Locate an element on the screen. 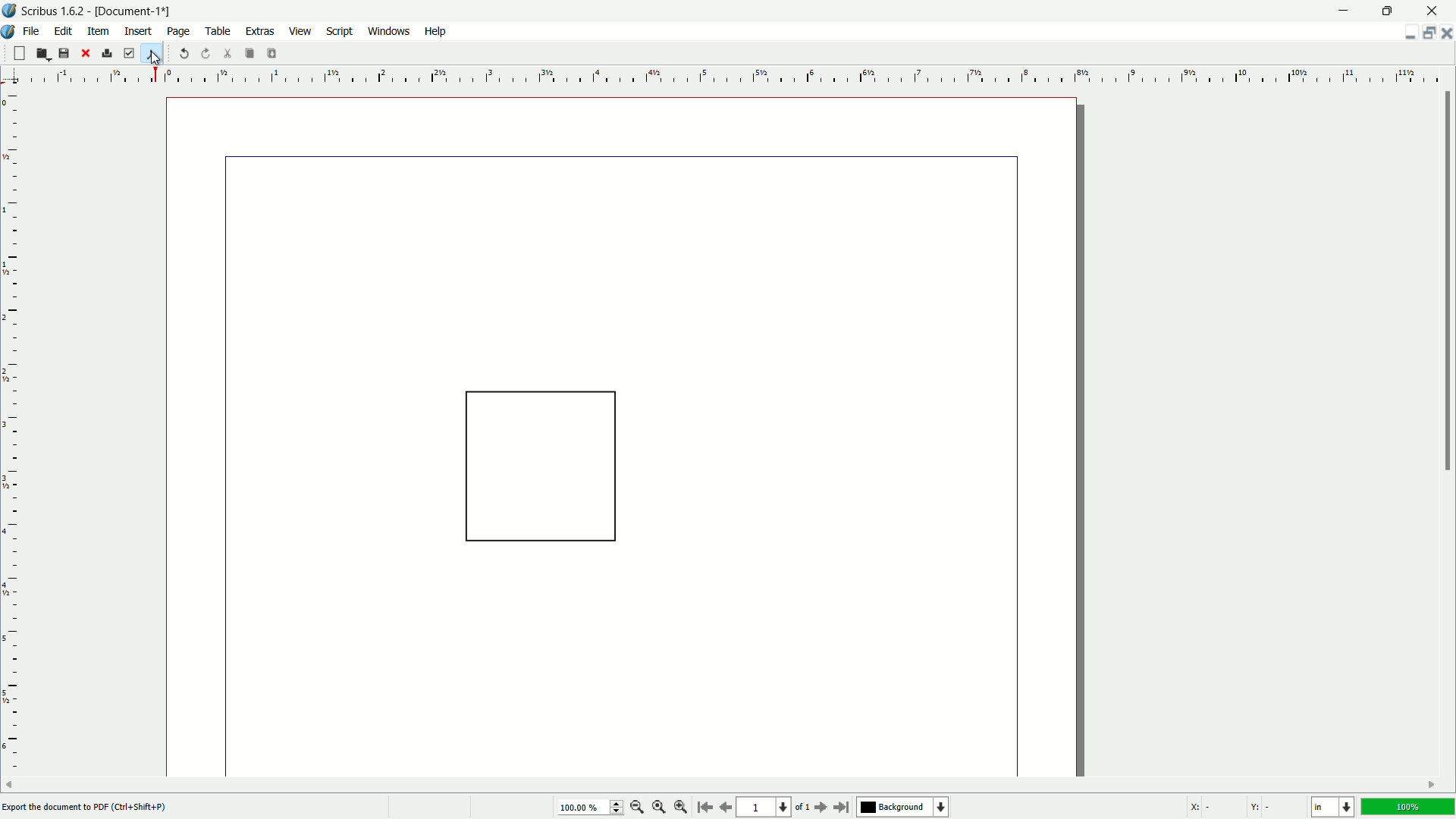  scroll bar is located at coordinates (1446, 281).